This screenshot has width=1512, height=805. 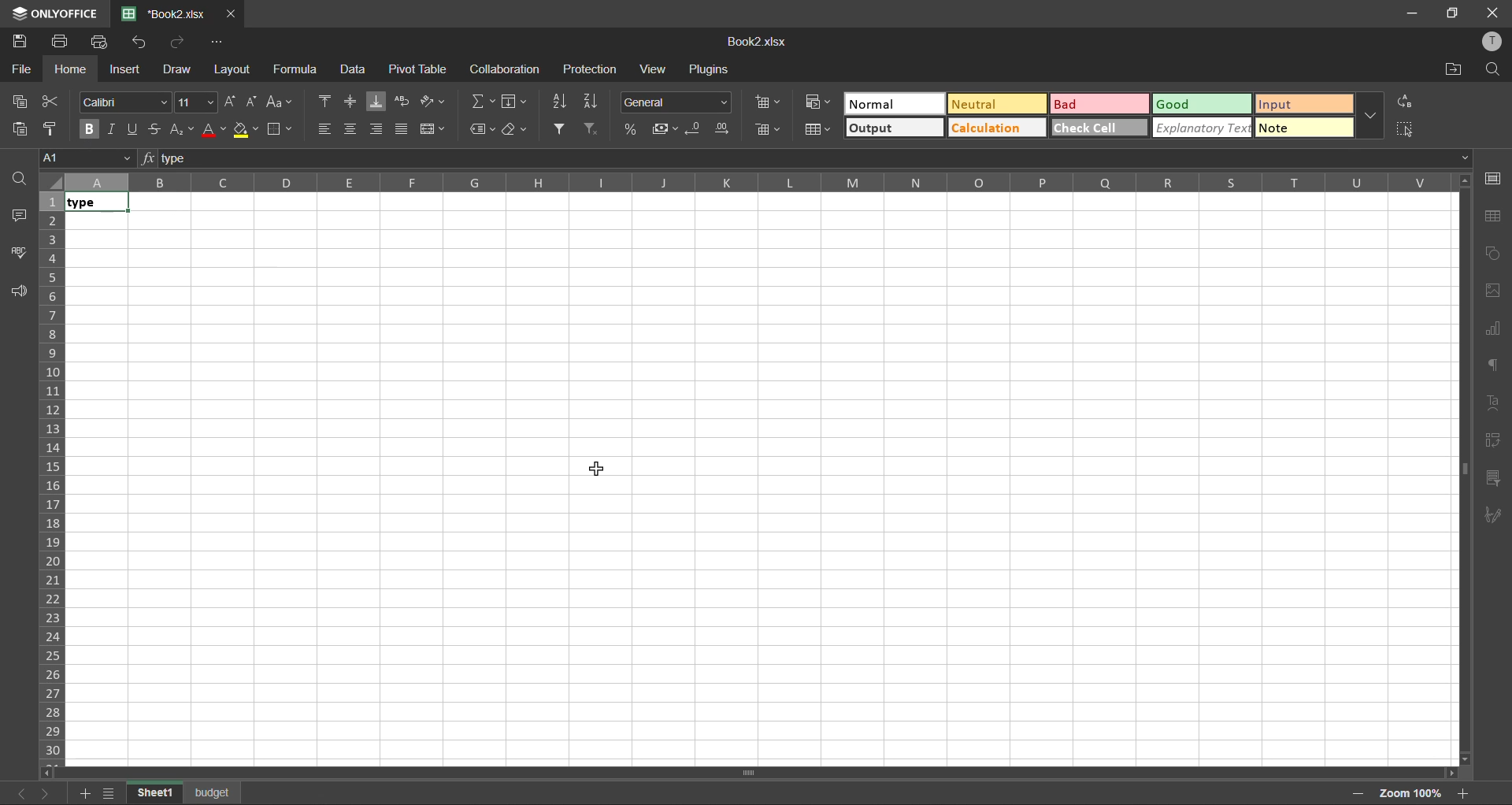 I want to click on print, so click(x=61, y=42).